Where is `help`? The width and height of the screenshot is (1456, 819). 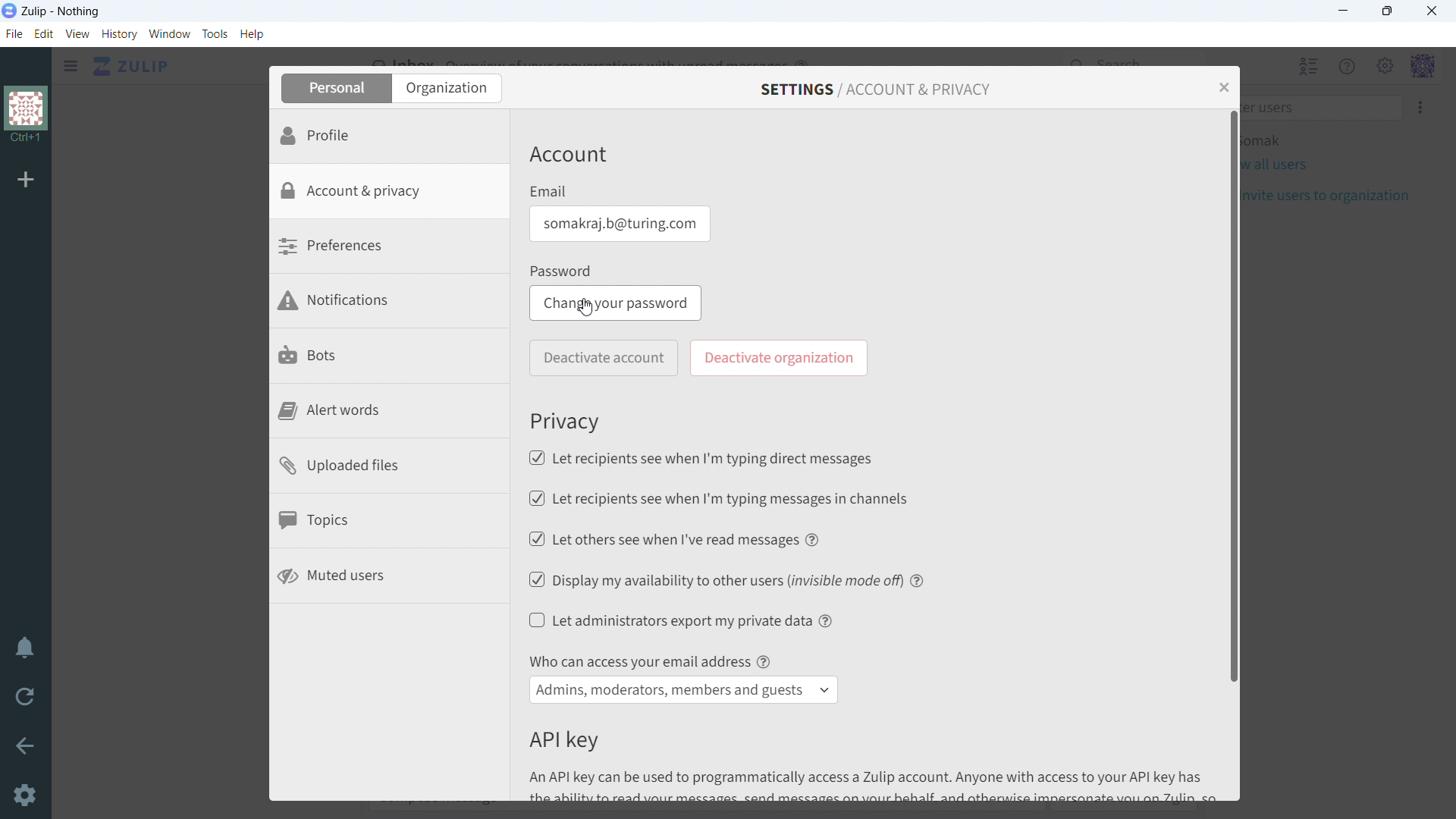 help is located at coordinates (918, 579).